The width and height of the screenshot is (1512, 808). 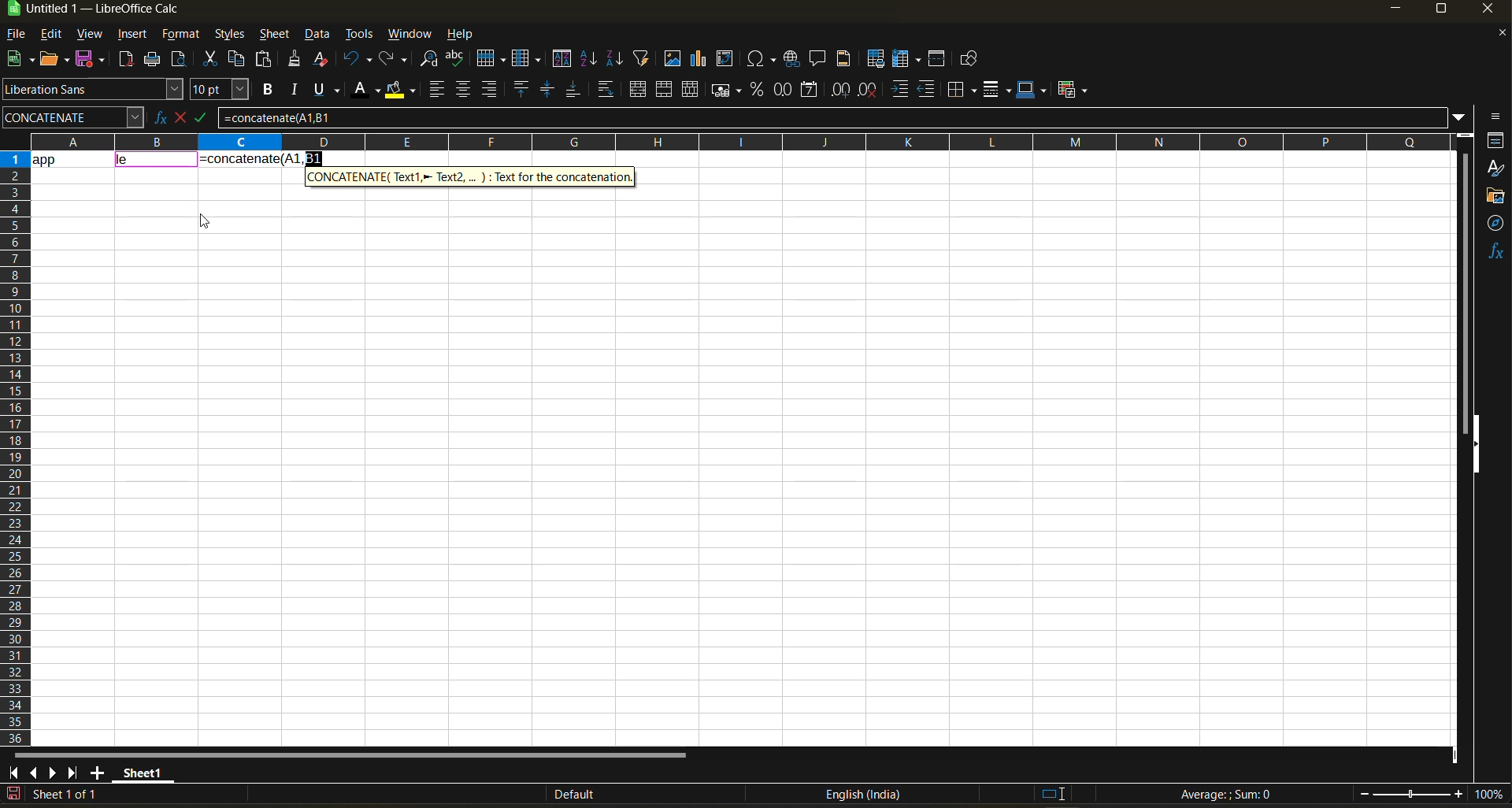 I want to click on help, so click(x=465, y=35).